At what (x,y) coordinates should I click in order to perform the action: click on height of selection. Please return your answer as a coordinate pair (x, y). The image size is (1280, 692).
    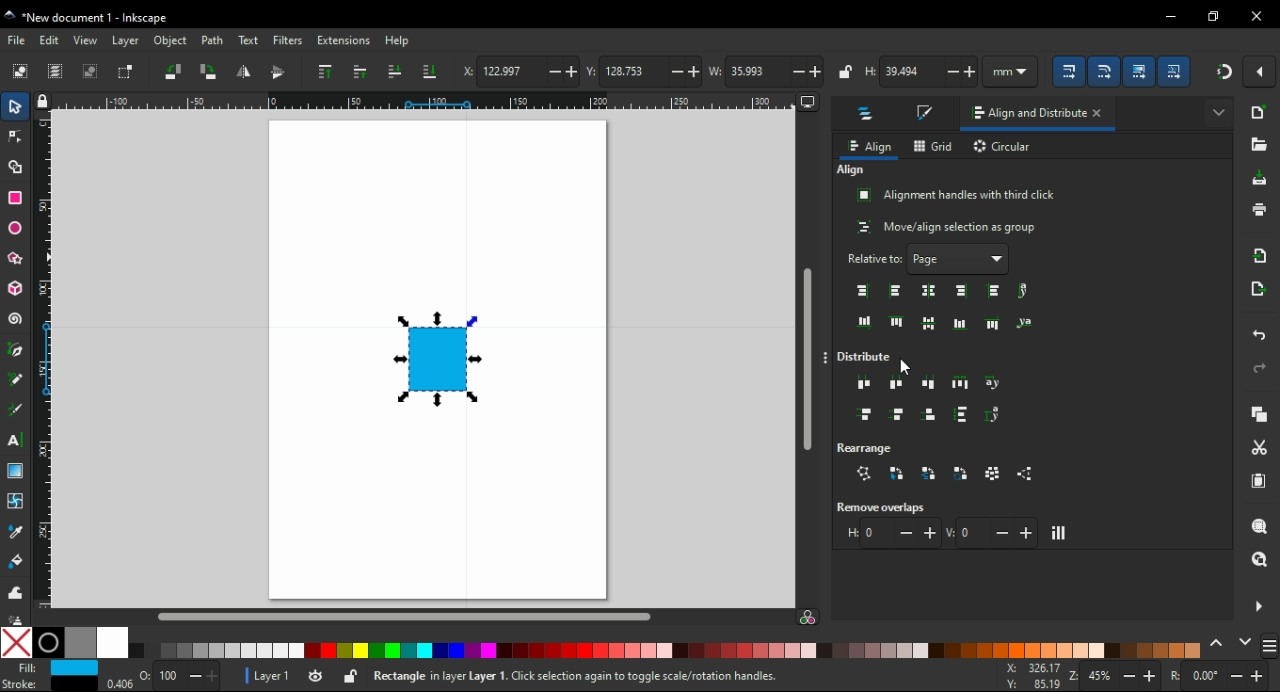
    Looking at the image, I should click on (923, 72).